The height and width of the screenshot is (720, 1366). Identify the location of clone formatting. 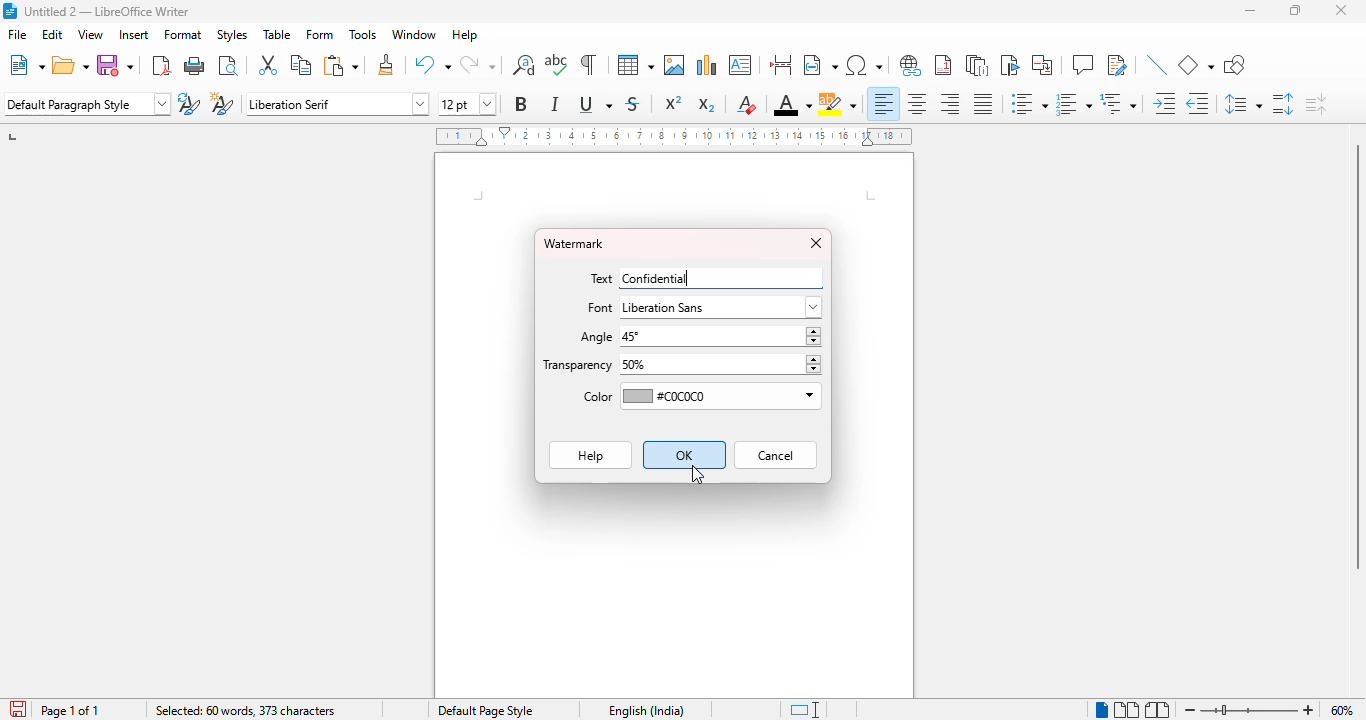
(387, 64).